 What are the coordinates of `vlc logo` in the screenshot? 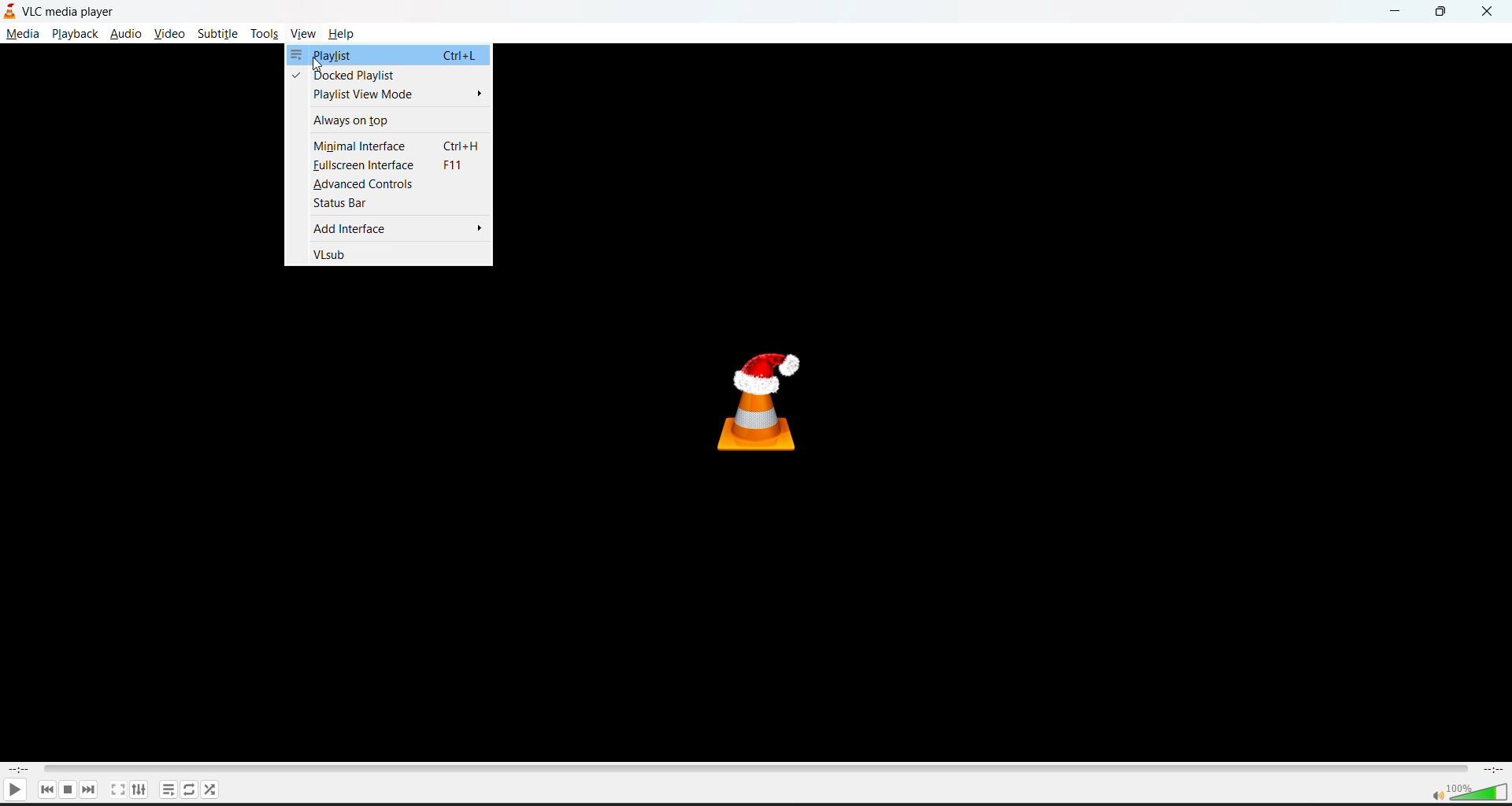 It's located at (10, 12).